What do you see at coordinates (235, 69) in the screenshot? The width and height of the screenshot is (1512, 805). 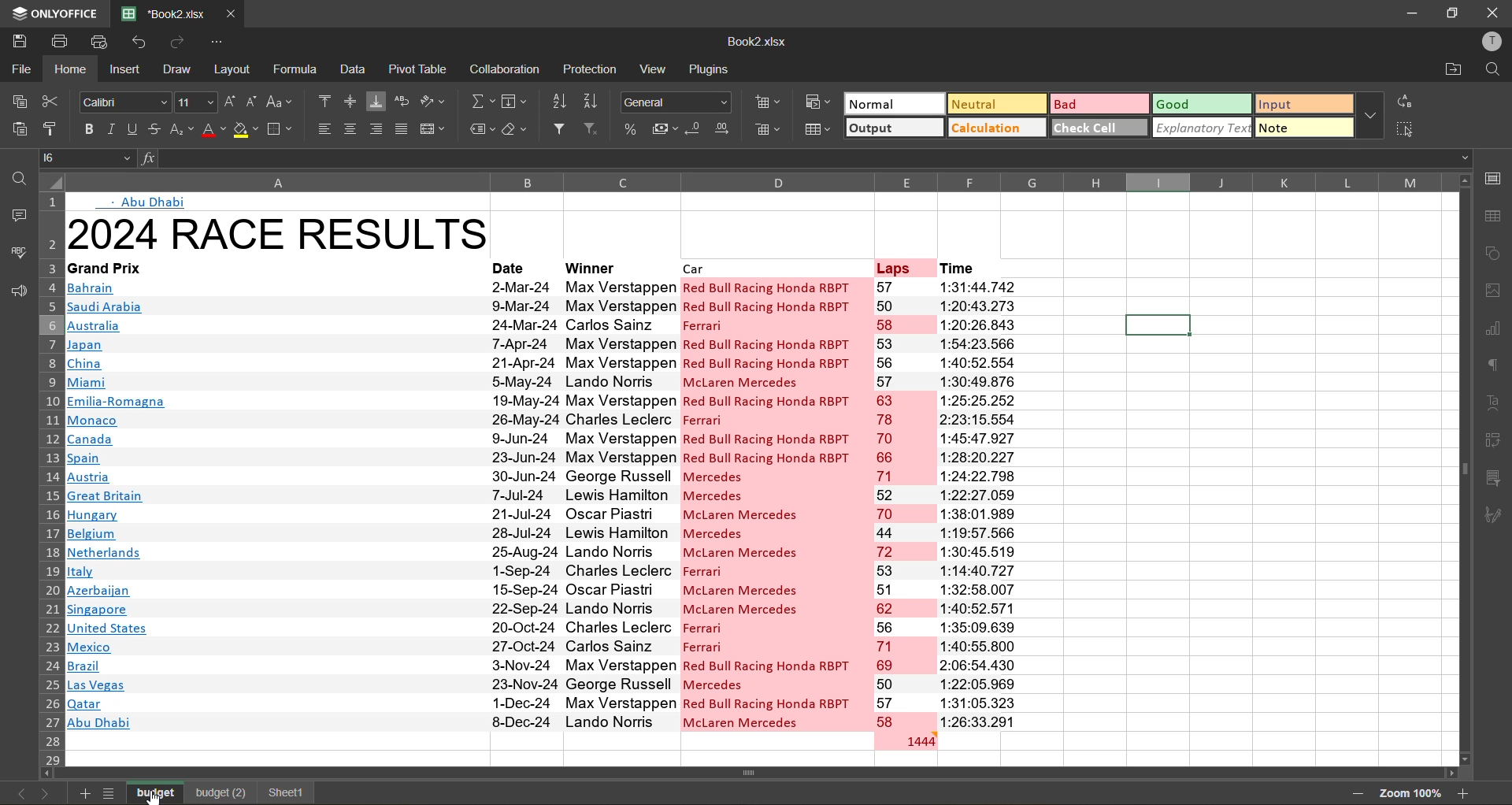 I see `layout` at bounding box center [235, 69].